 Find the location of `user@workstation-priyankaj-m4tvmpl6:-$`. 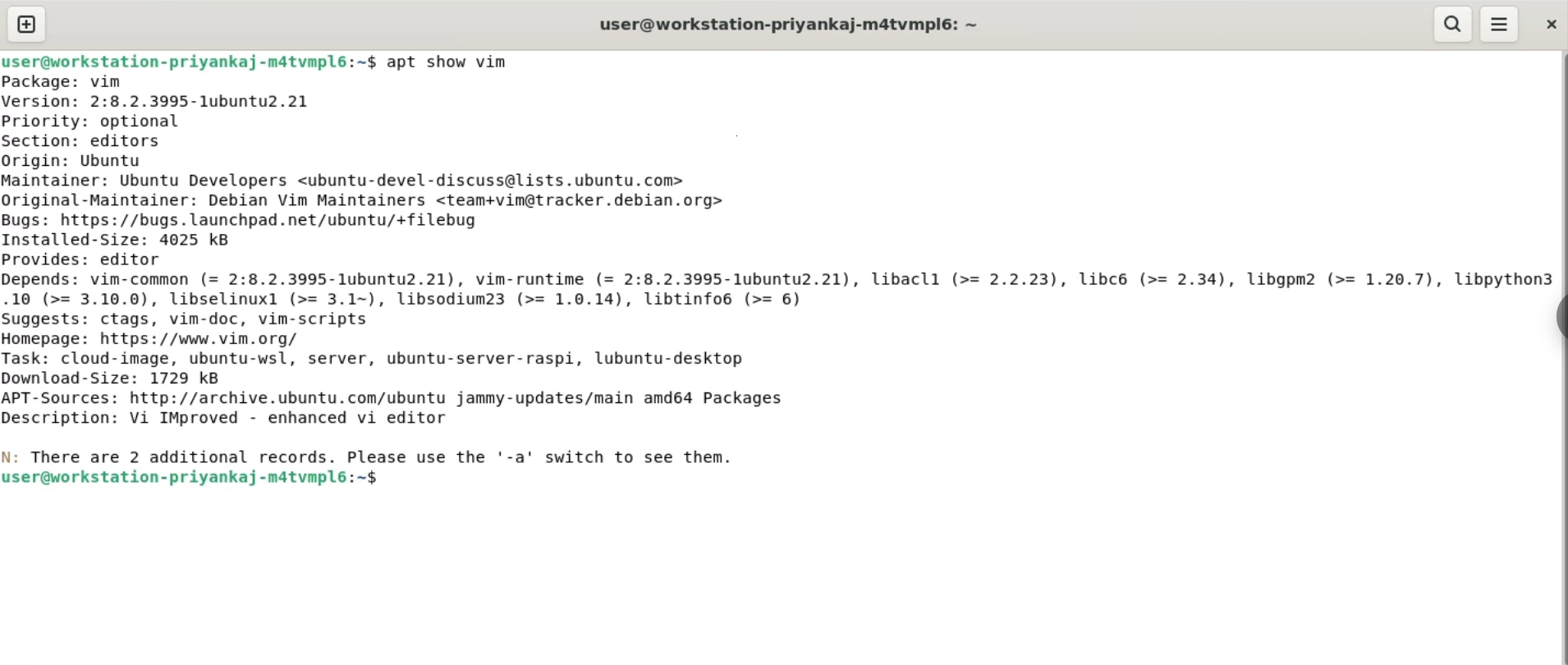

user@workstation-priyankaj-m4tvmpl6:-$ is located at coordinates (199, 481).